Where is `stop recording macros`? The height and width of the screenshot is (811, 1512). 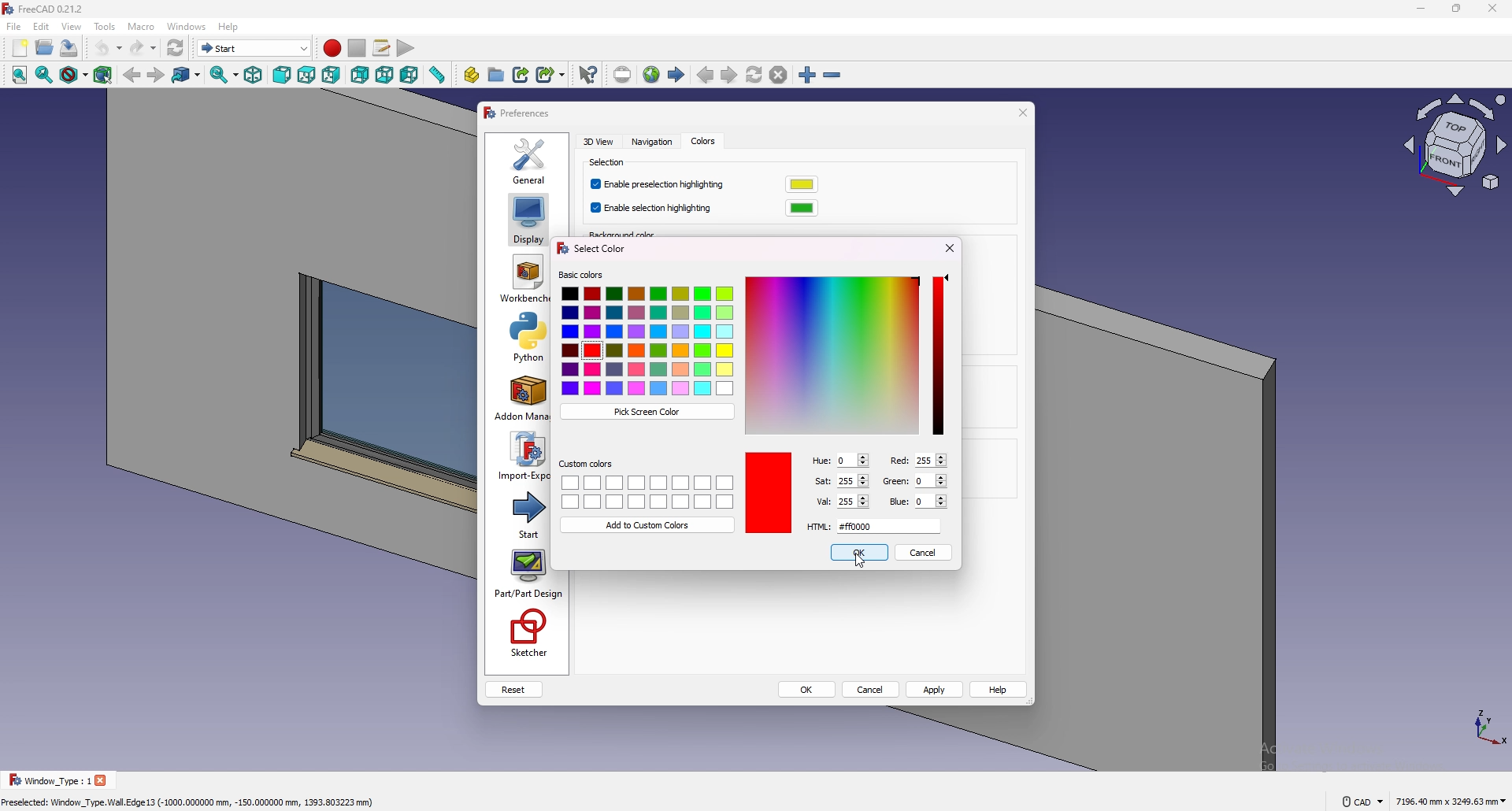
stop recording macros is located at coordinates (357, 48).